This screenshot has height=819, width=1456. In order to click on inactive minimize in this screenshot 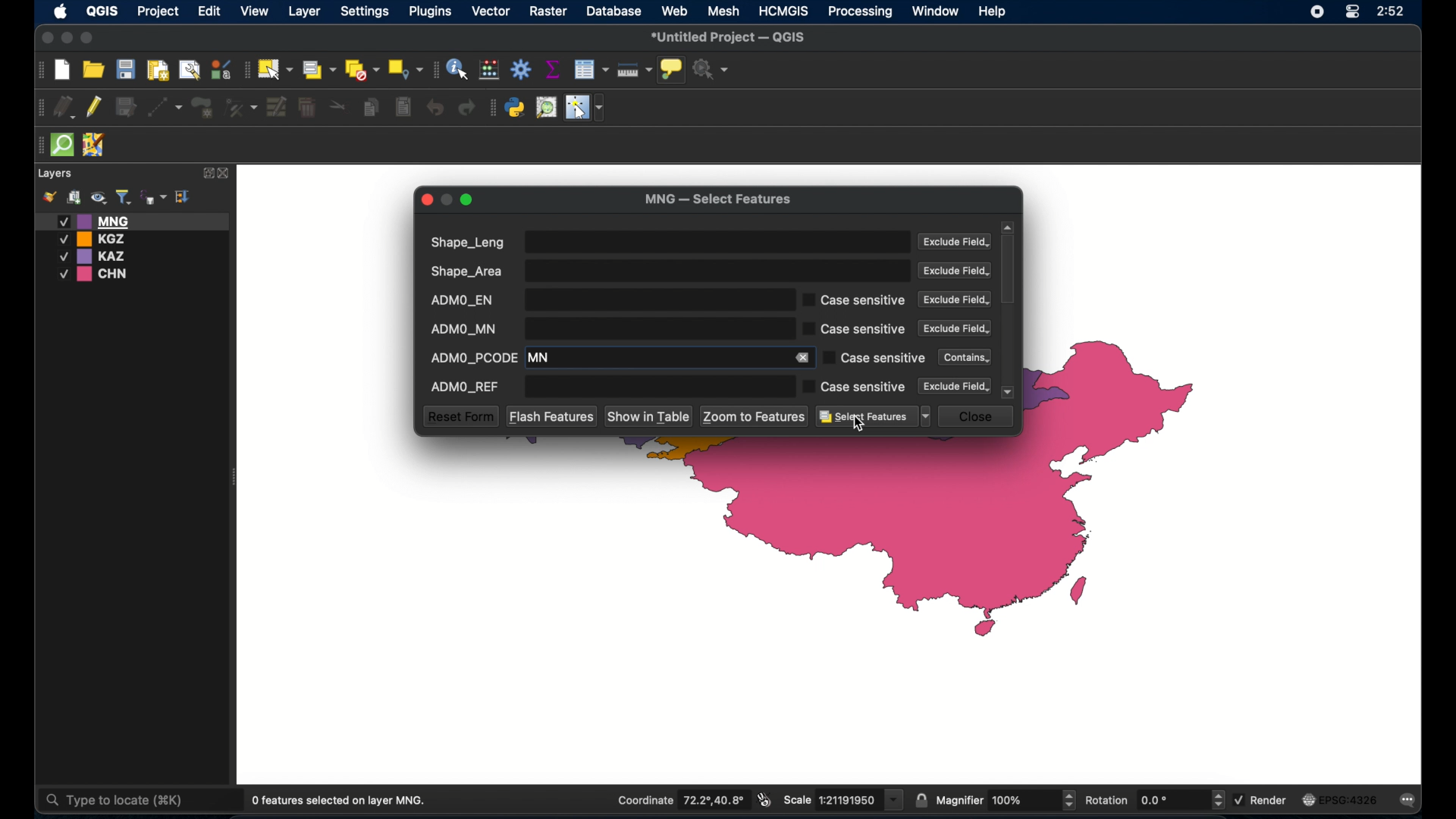, I will do `click(447, 199)`.